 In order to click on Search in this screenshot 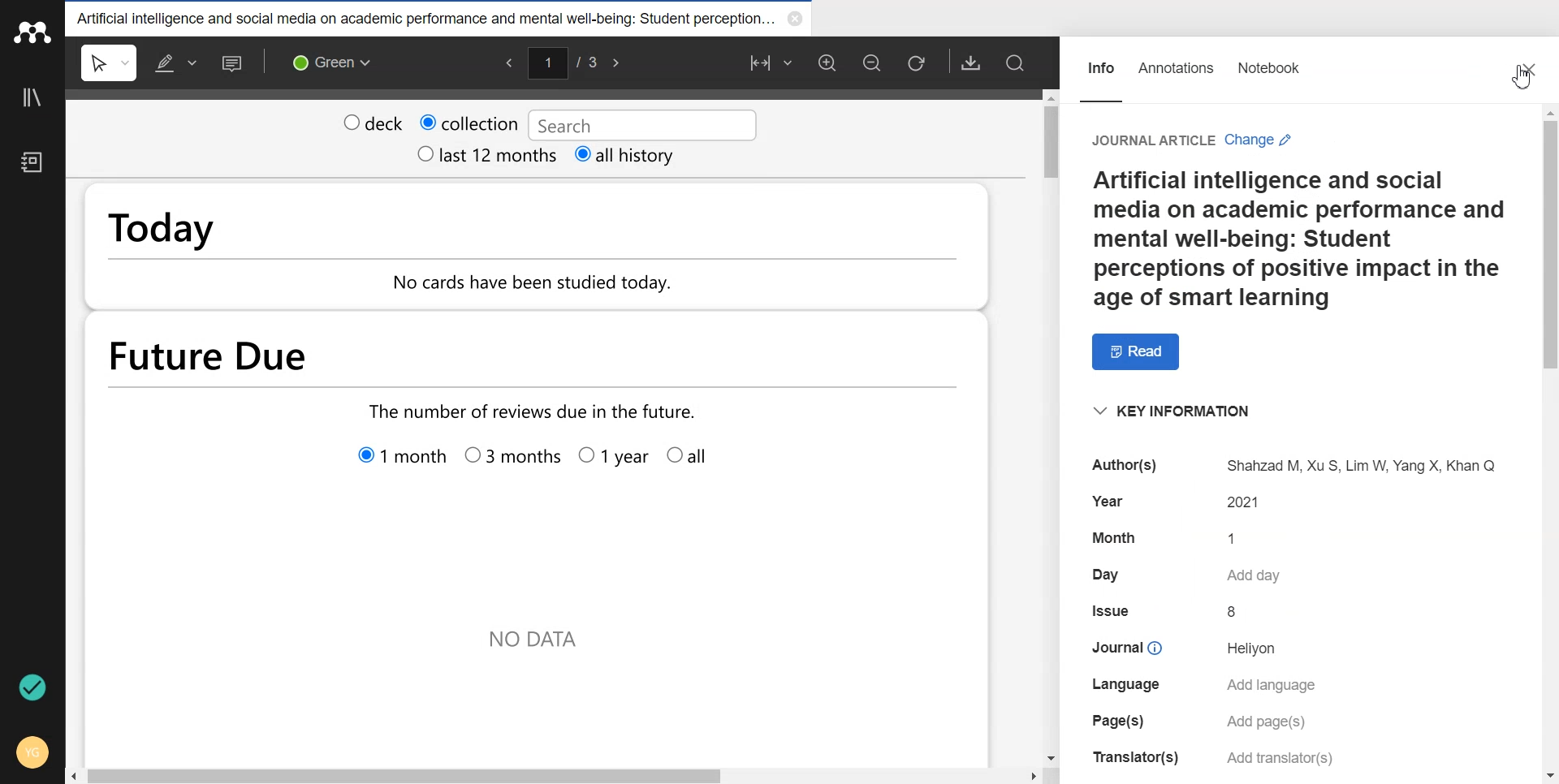, I will do `click(1014, 63)`.